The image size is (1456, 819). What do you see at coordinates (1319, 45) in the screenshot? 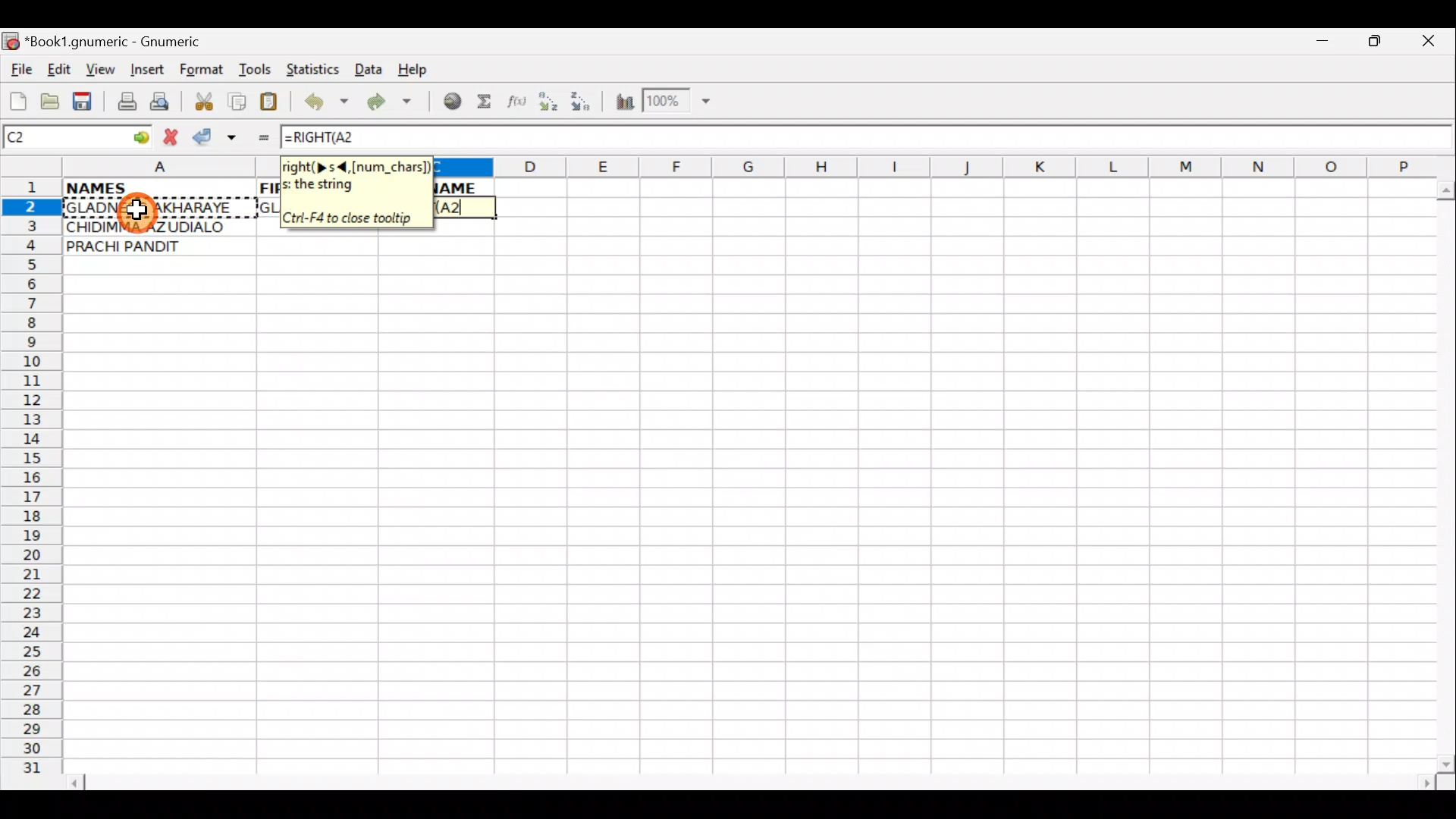
I see `Minimize` at bounding box center [1319, 45].